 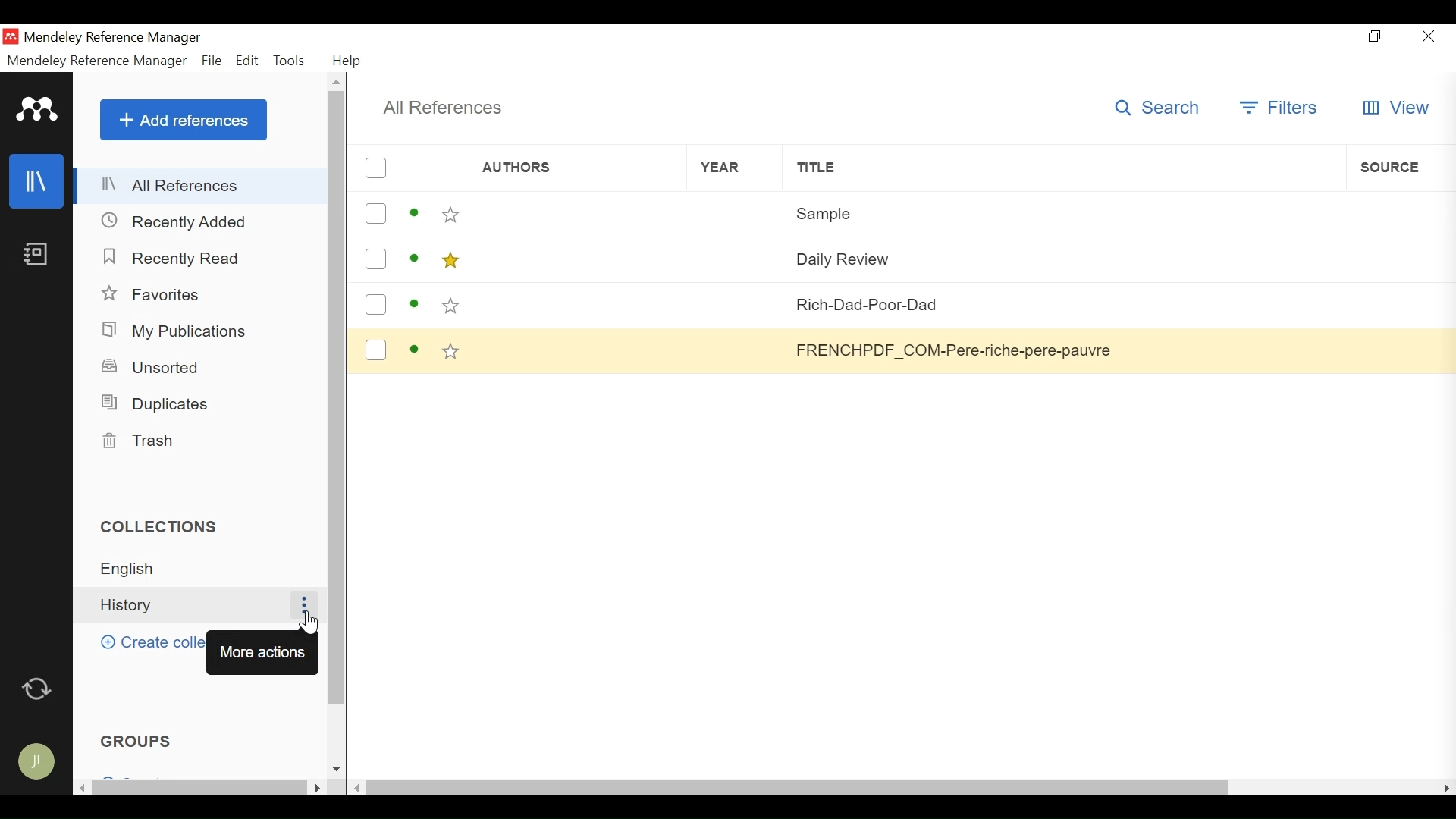 I want to click on Mendeley logo, so click(x=37, y=110).